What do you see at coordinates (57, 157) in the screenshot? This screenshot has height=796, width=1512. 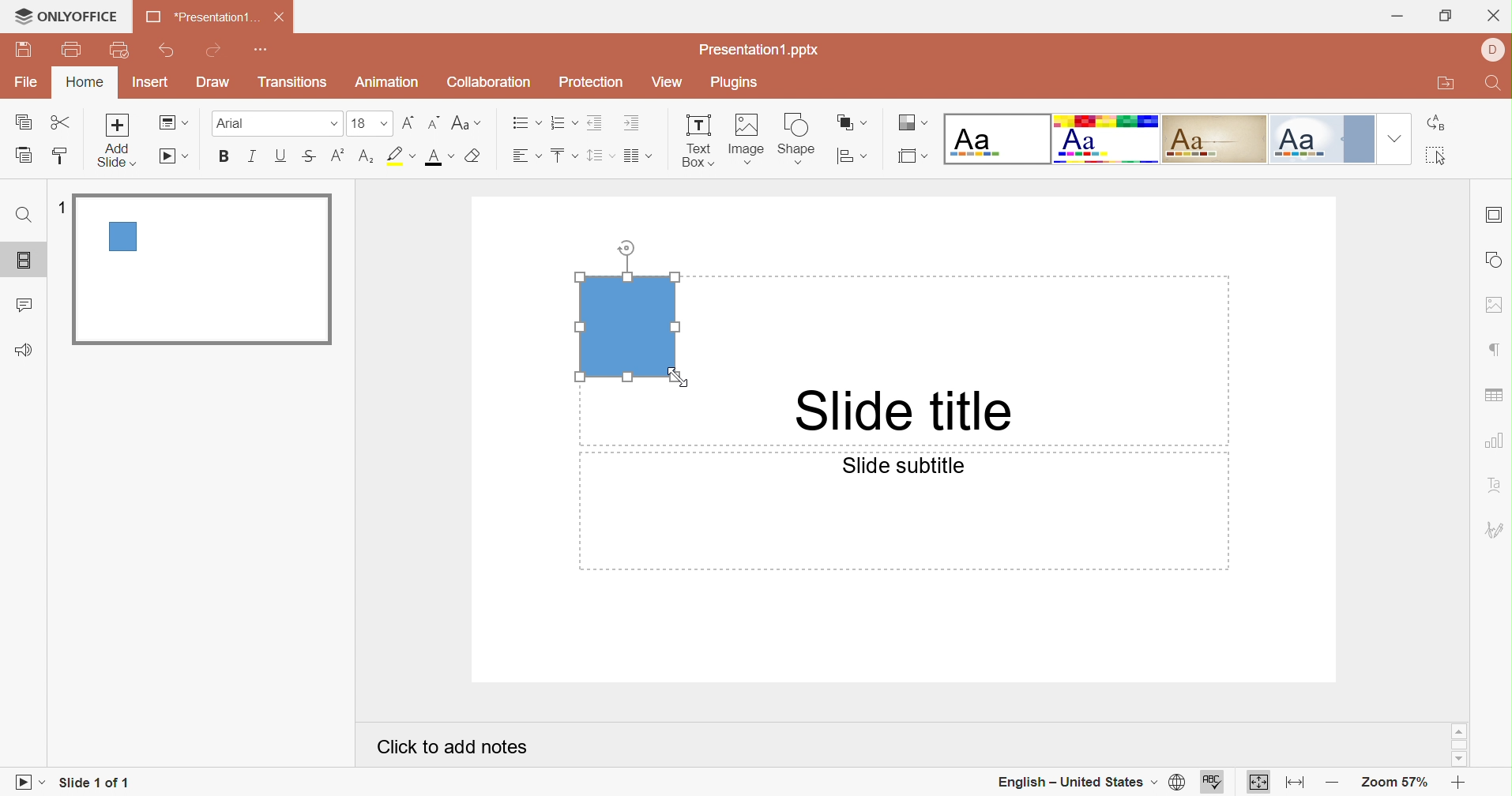 I see `Copy style` at bounding box center [57, 157].